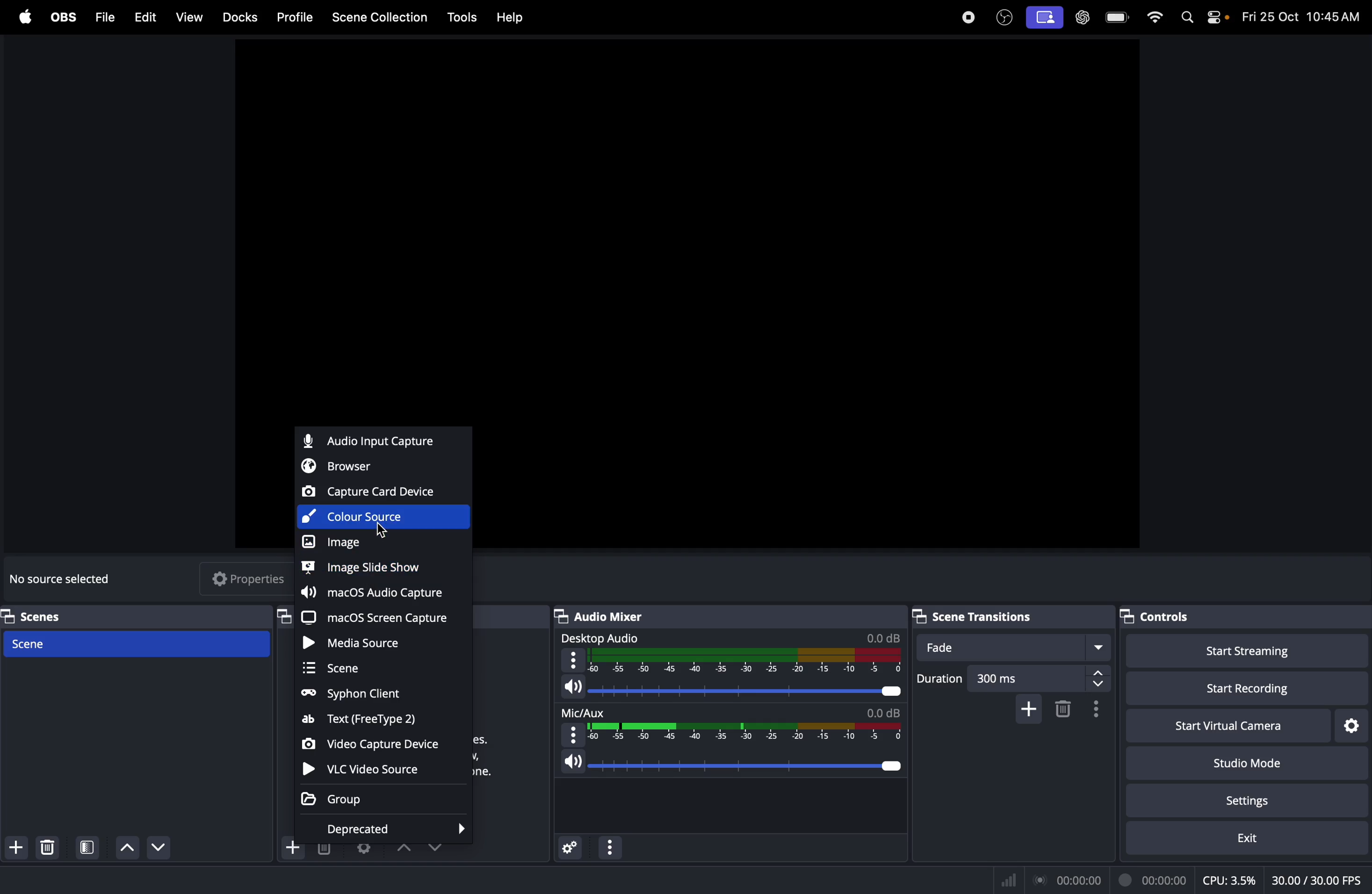 This screenshot has width=1372, height=894. Describe the element at coordinates (18, 848) in the screenshot. I see `add scene` at that location.